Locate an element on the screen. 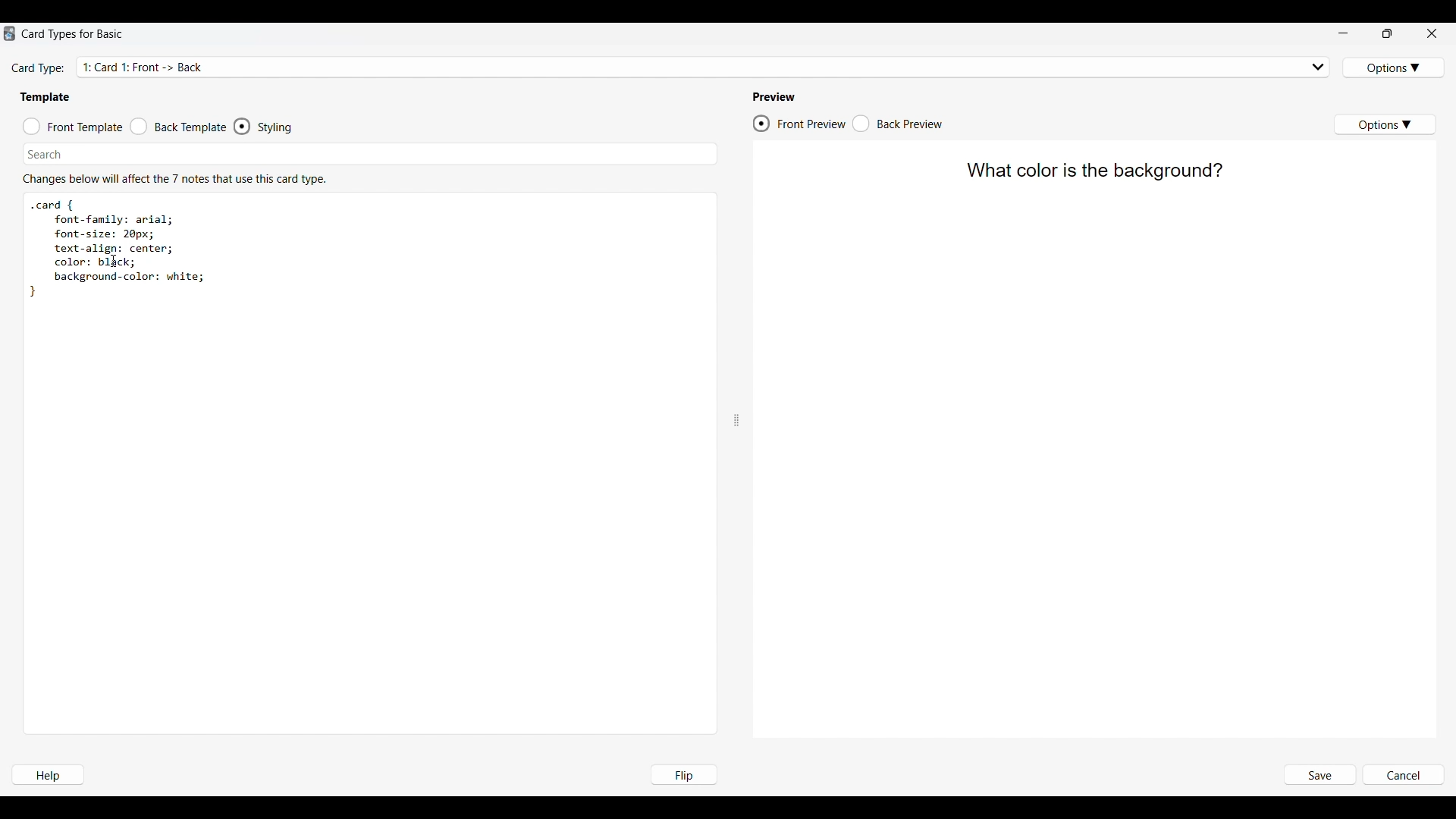 This screenshot has width=1456, height=819. Change width of panels attached to this line is located at coordinates (736, 383).